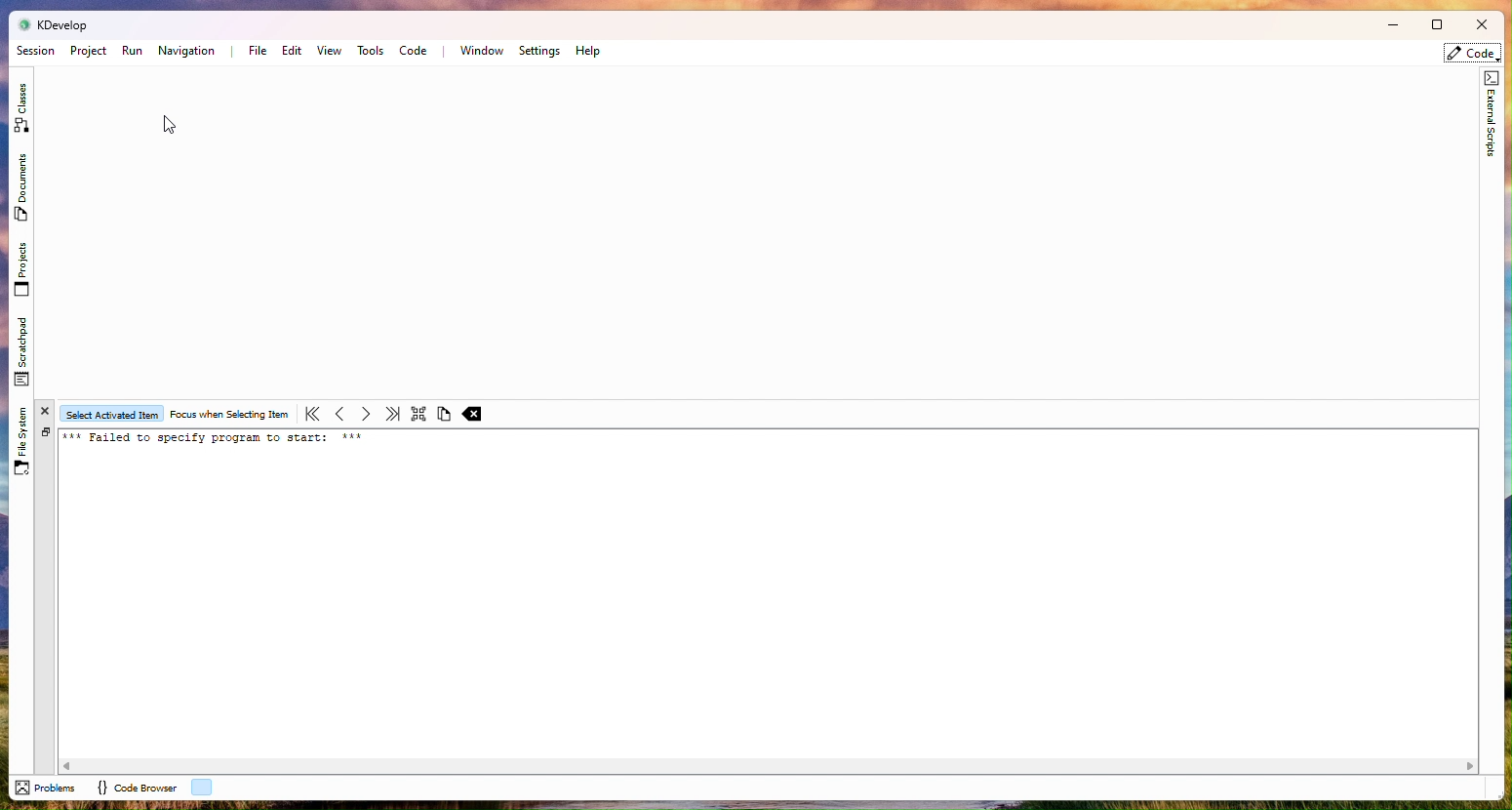 This screenshot has height=810, width=1512. I want to click on Class, so click(21, 104).